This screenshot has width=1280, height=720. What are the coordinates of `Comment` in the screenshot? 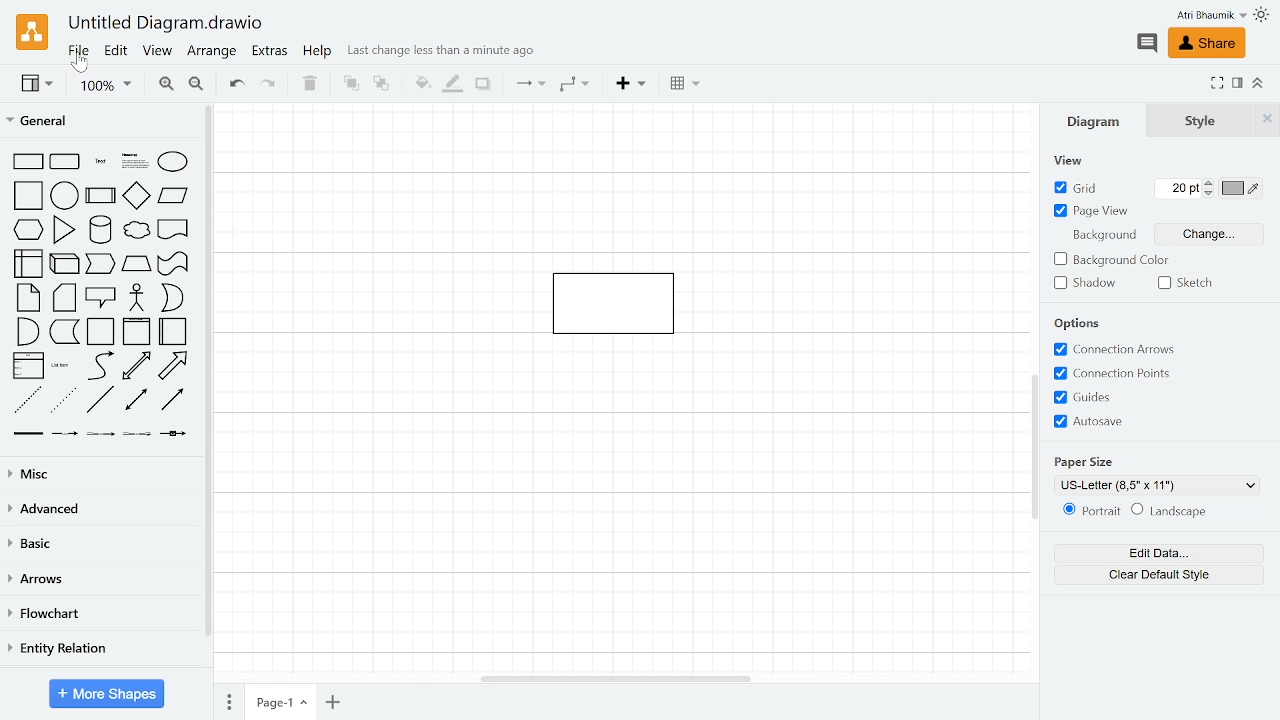 It's located at (1149, 44).